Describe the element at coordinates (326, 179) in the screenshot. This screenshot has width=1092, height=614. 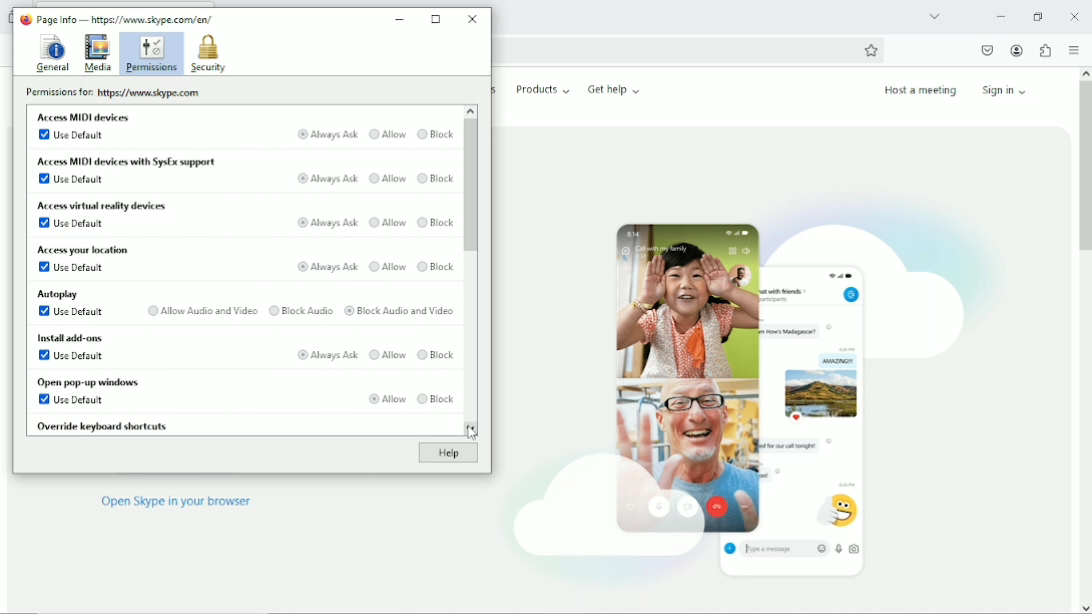
I see `Always ask` at that location.